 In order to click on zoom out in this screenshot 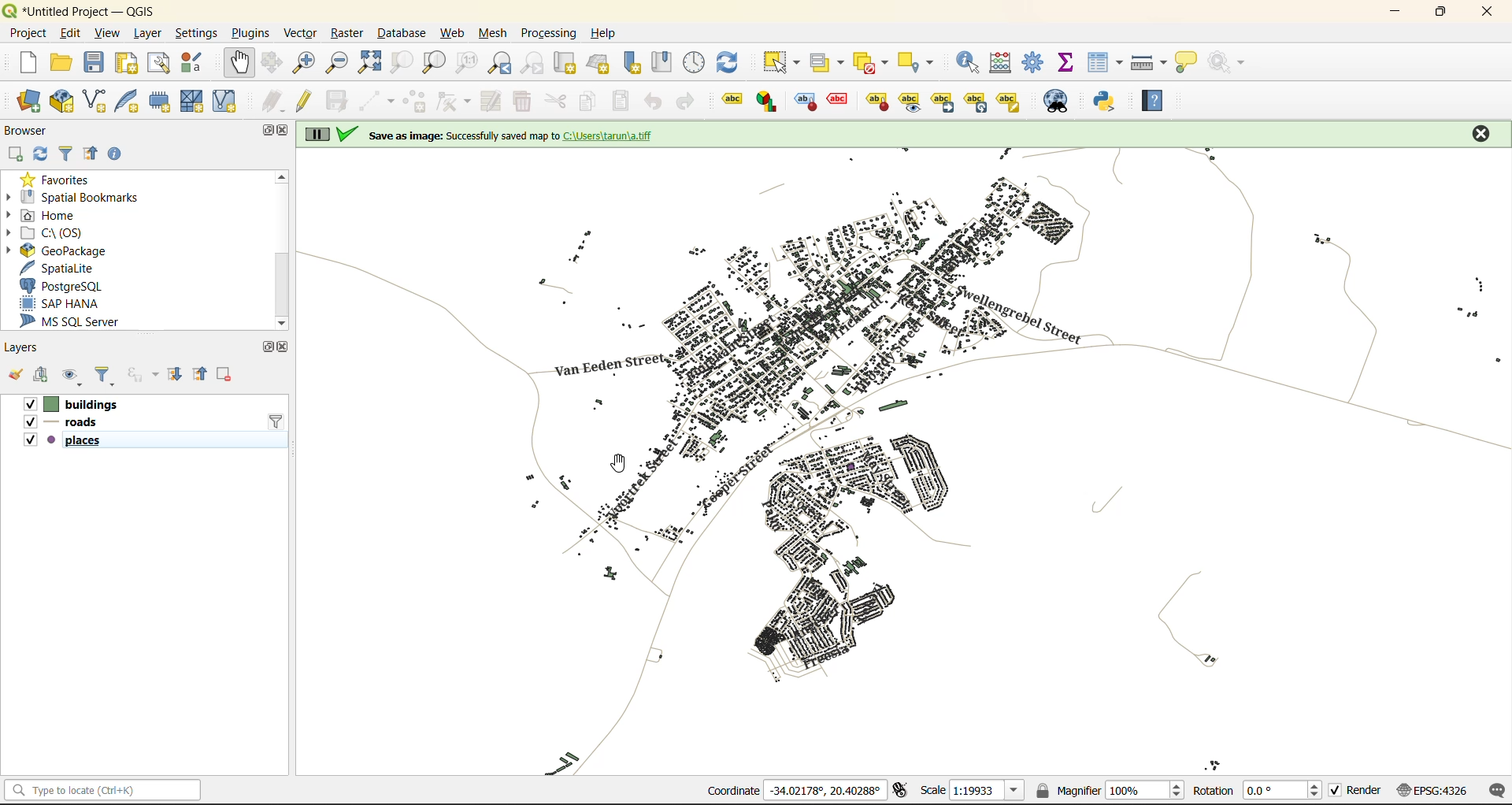, I will do `click(337, 64)`.